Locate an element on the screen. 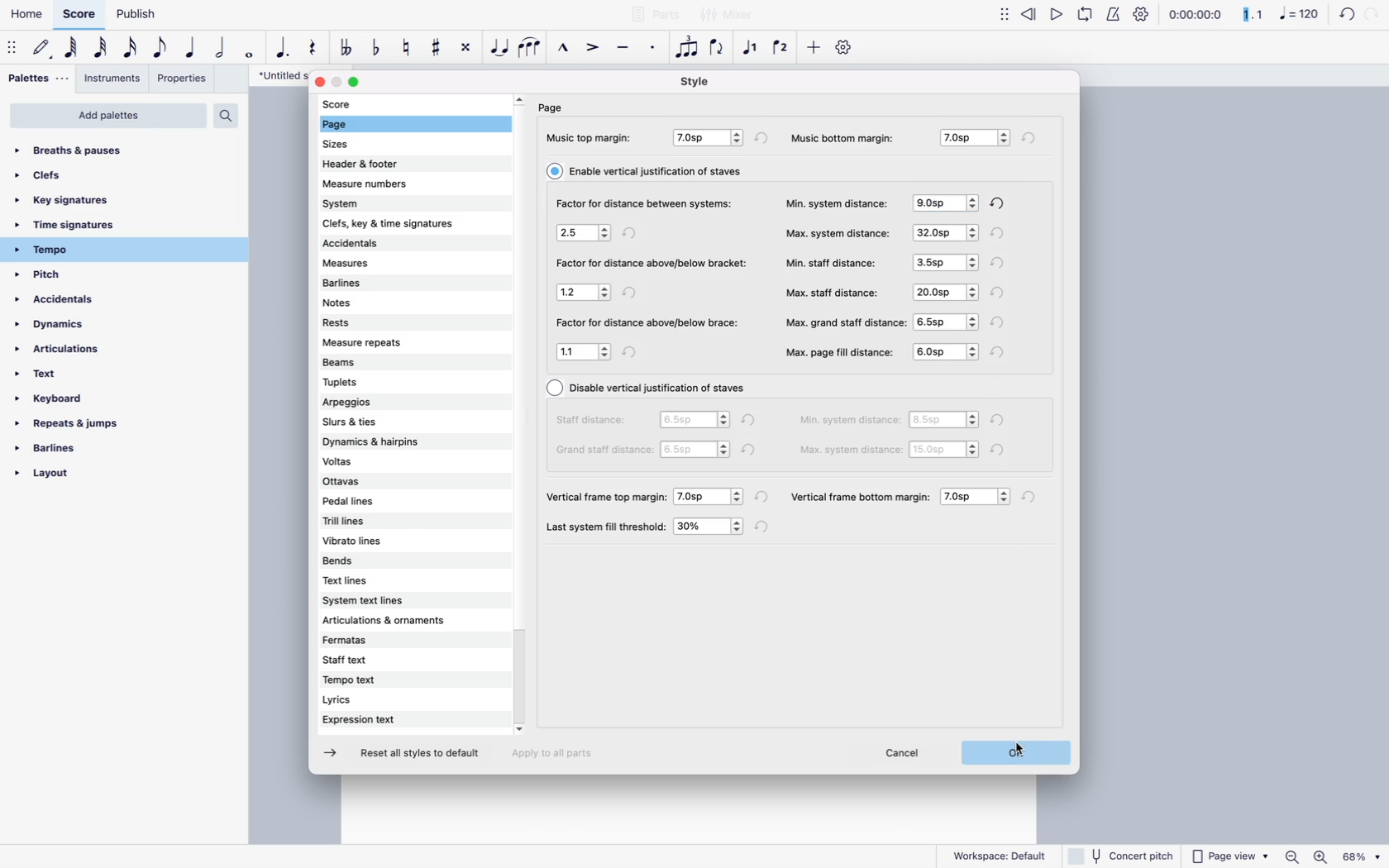  sizes is located at coordinates (359, 146).